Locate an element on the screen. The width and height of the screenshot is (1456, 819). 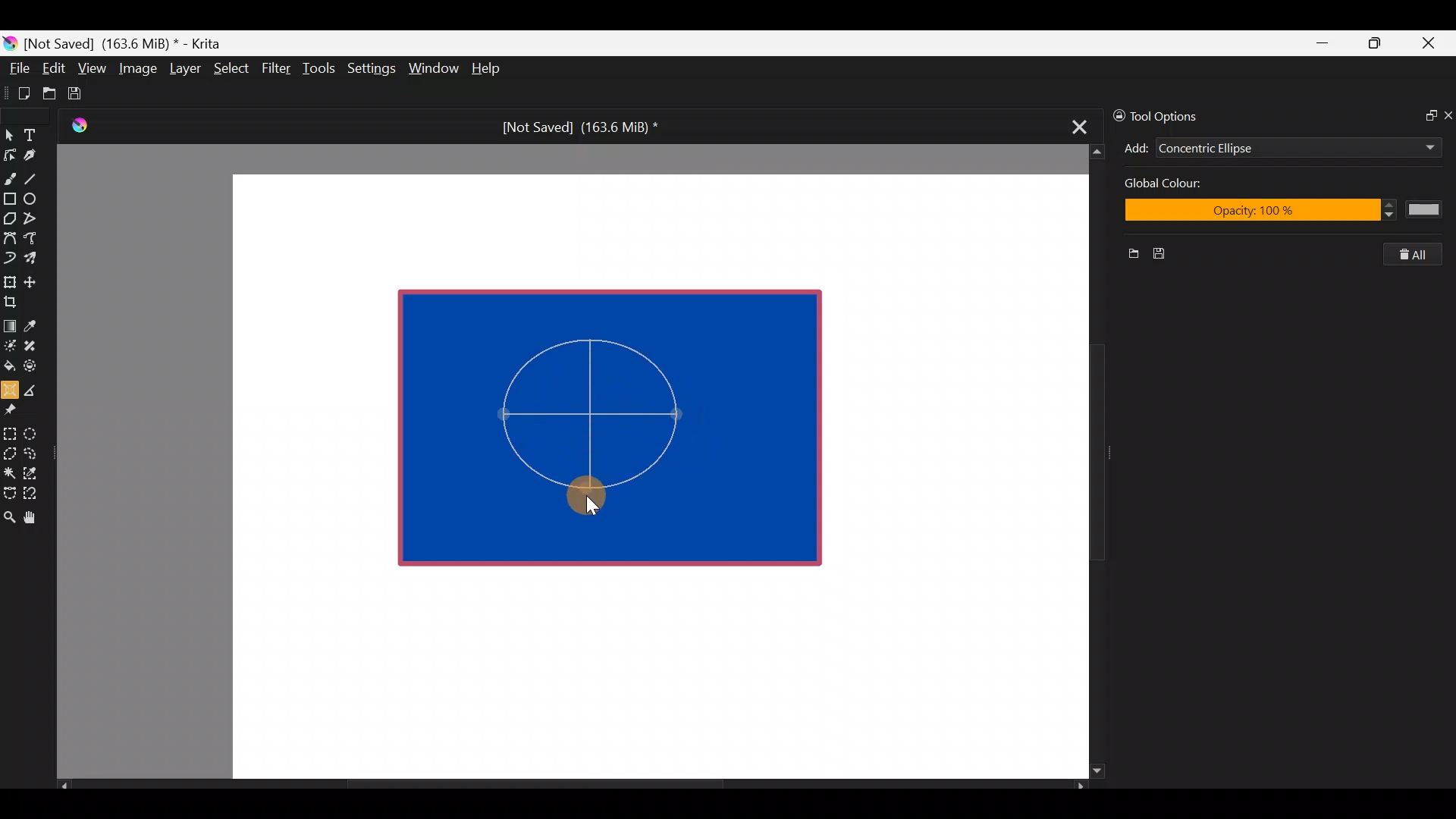
Maximize is located at coordinates (1374, 42).